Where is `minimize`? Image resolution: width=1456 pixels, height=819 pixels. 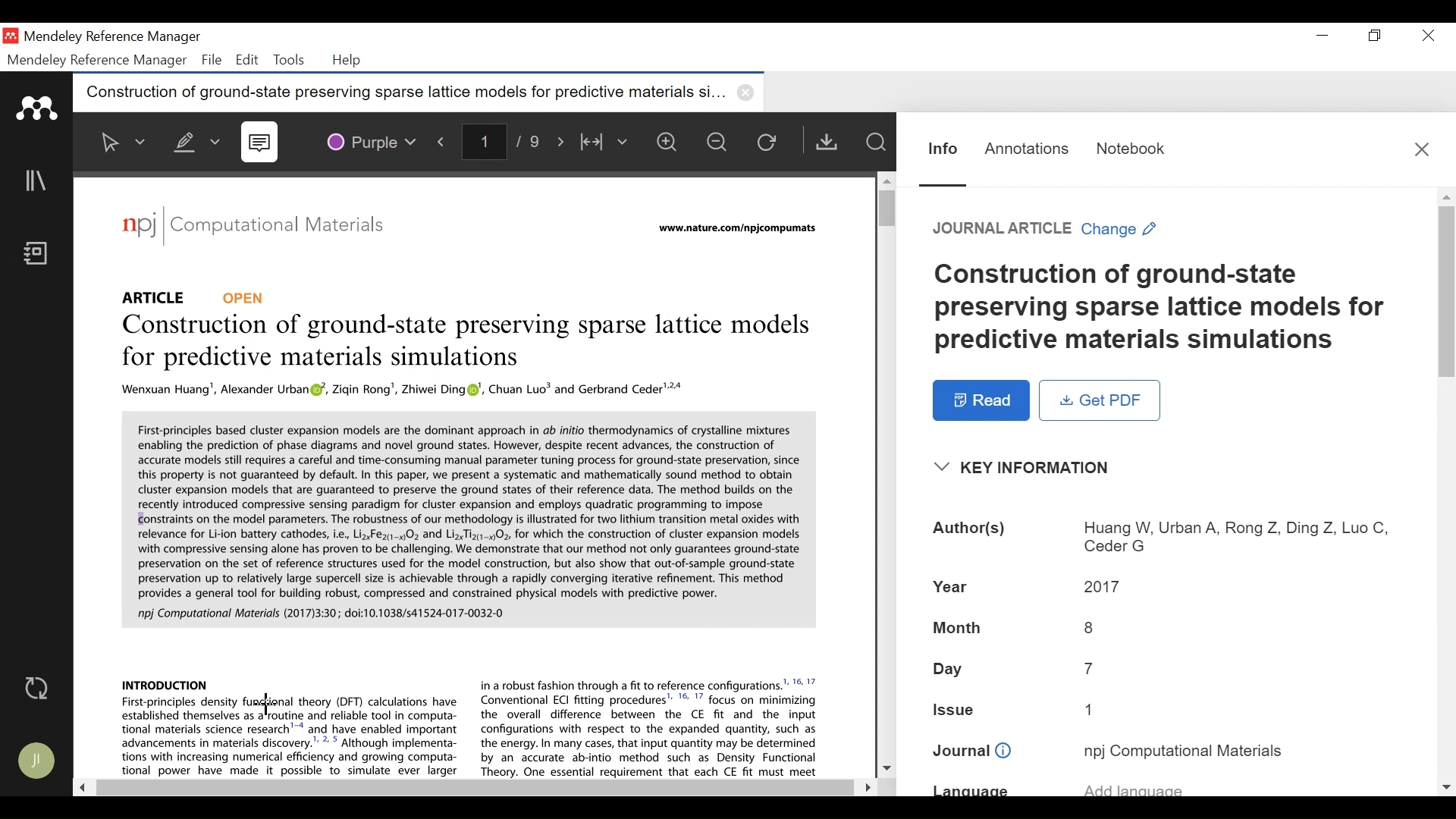 minimize is located at coordinates (1323, 36).